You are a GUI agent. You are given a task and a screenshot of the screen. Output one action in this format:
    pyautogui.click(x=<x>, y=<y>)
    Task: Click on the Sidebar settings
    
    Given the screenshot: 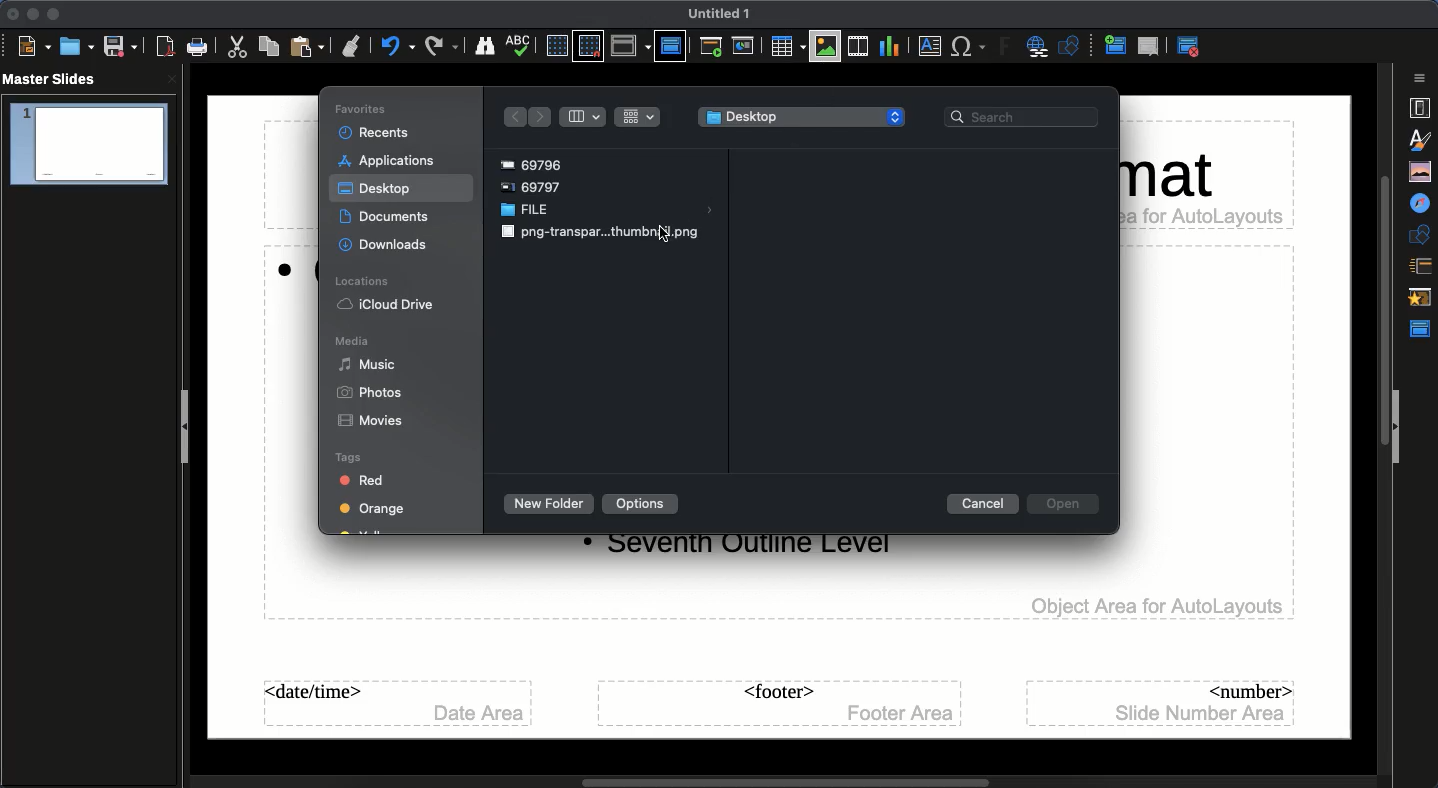 What is the action you would take?
    pyautogui.click(x=1422, y=78)
    